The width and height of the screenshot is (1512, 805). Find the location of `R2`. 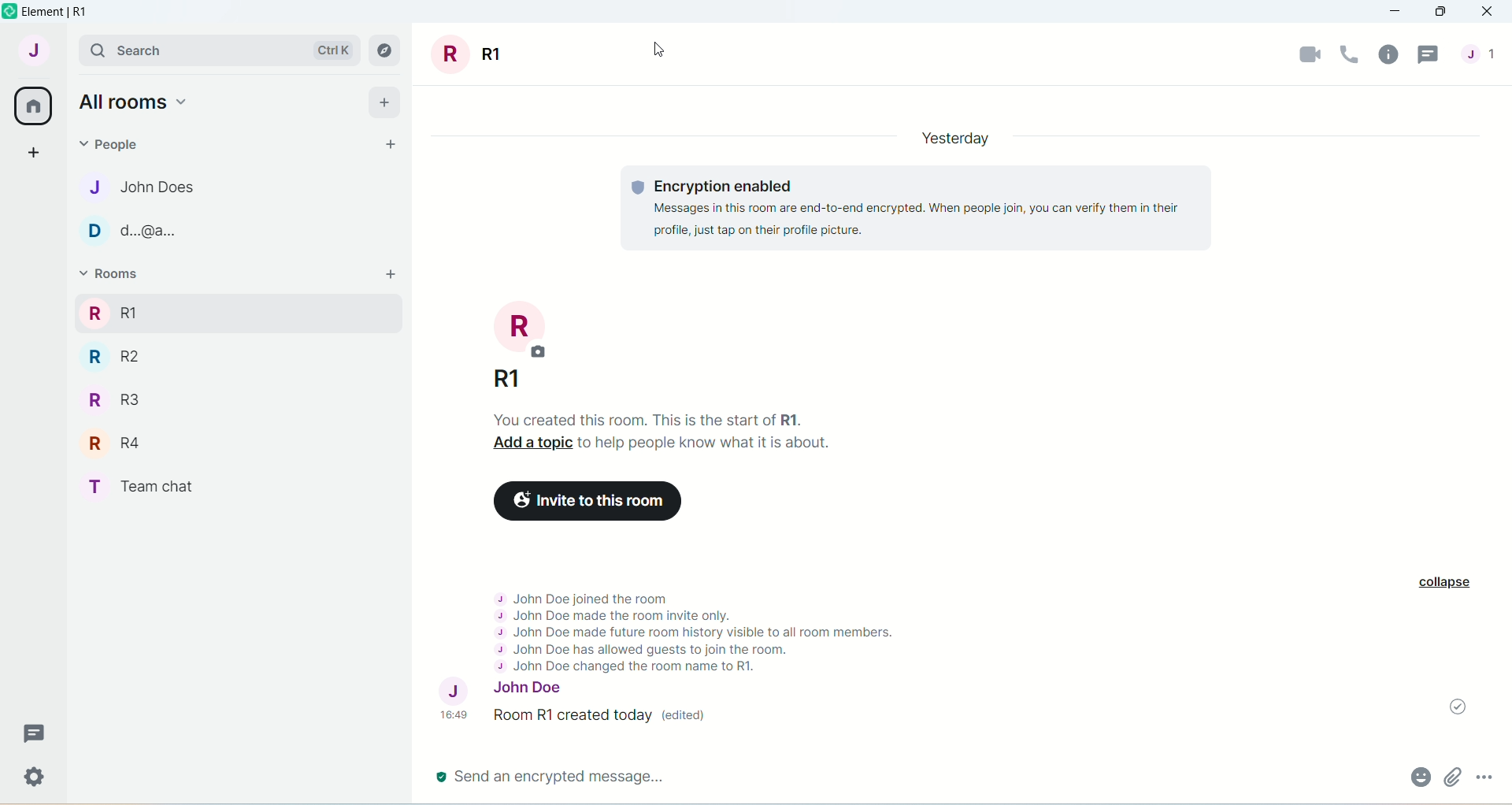

R2 is located at coordinates (113, 356).